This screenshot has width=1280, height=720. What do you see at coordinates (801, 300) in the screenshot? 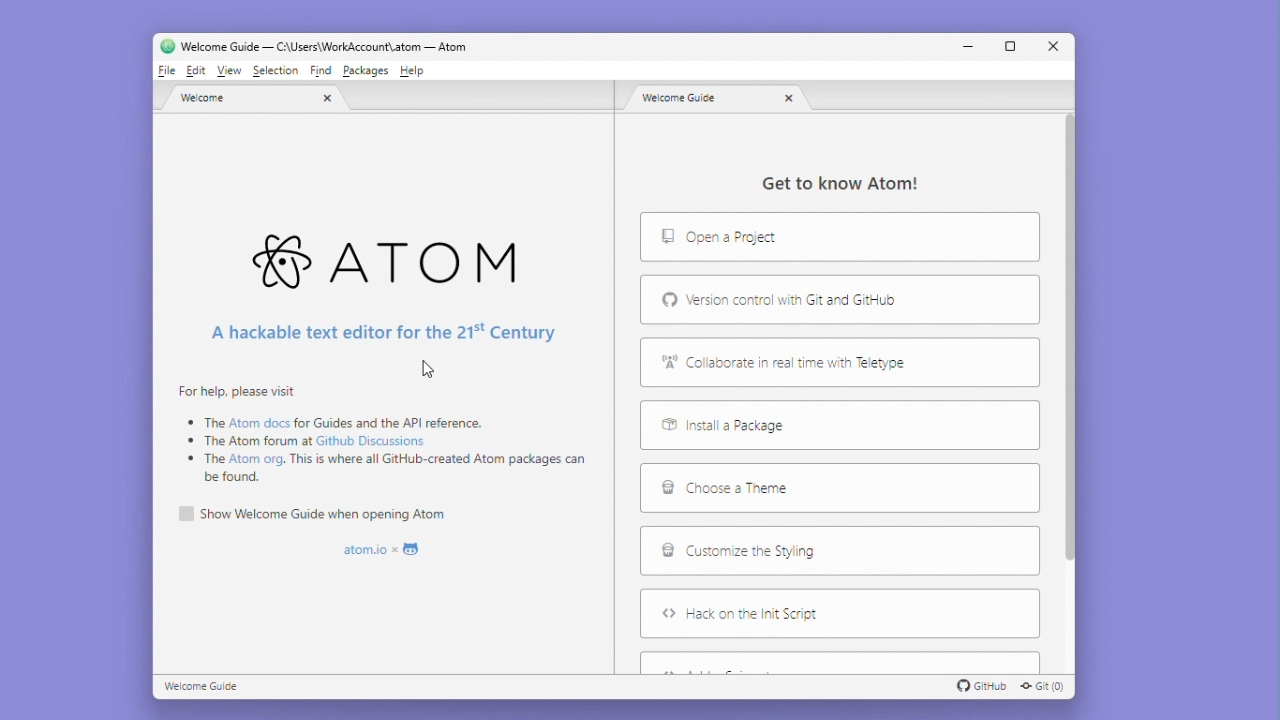
I see `Version control with Git and Git Hub` at bounding box center [801, 300].